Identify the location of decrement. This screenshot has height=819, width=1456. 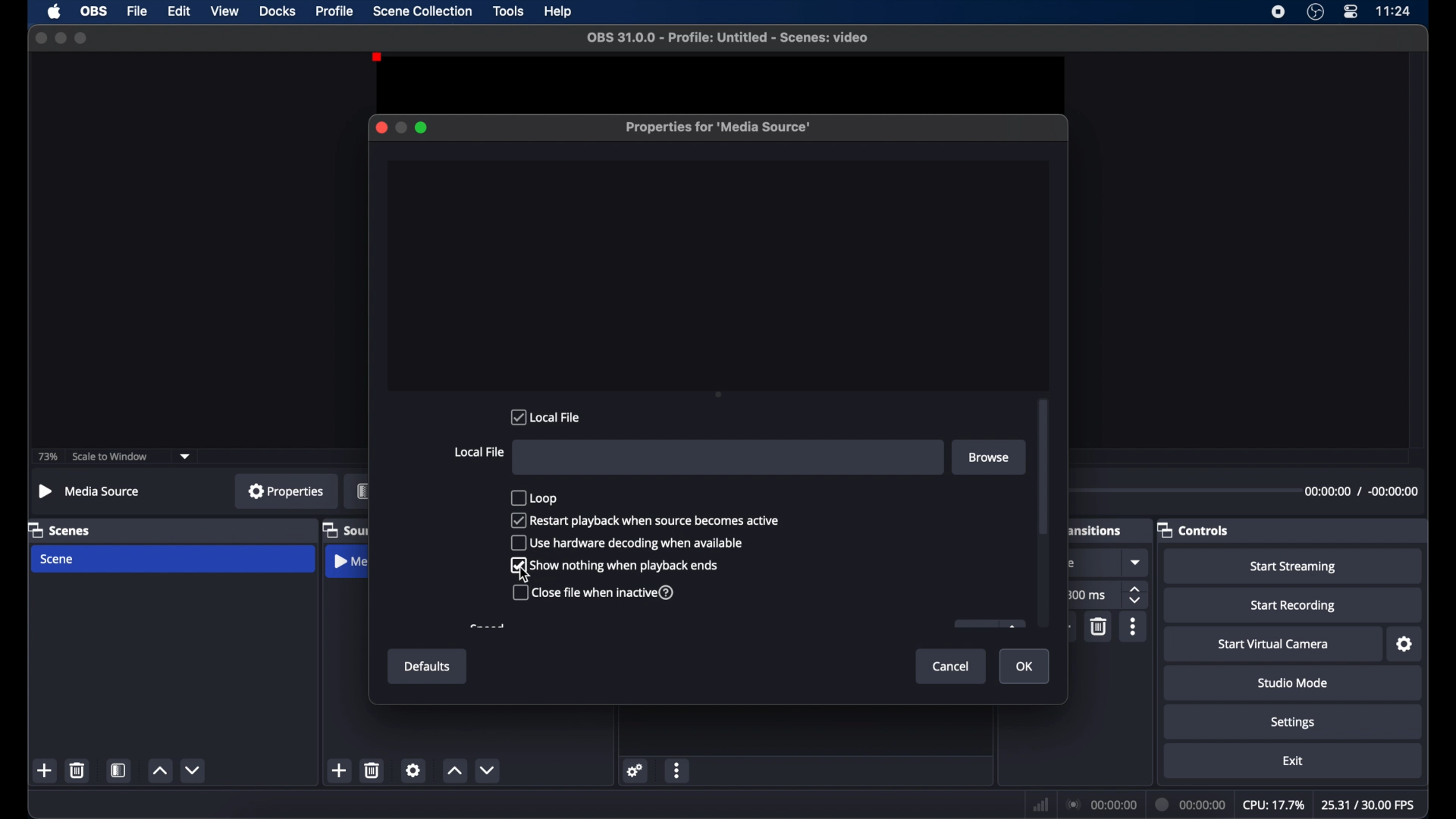
(194, 770).